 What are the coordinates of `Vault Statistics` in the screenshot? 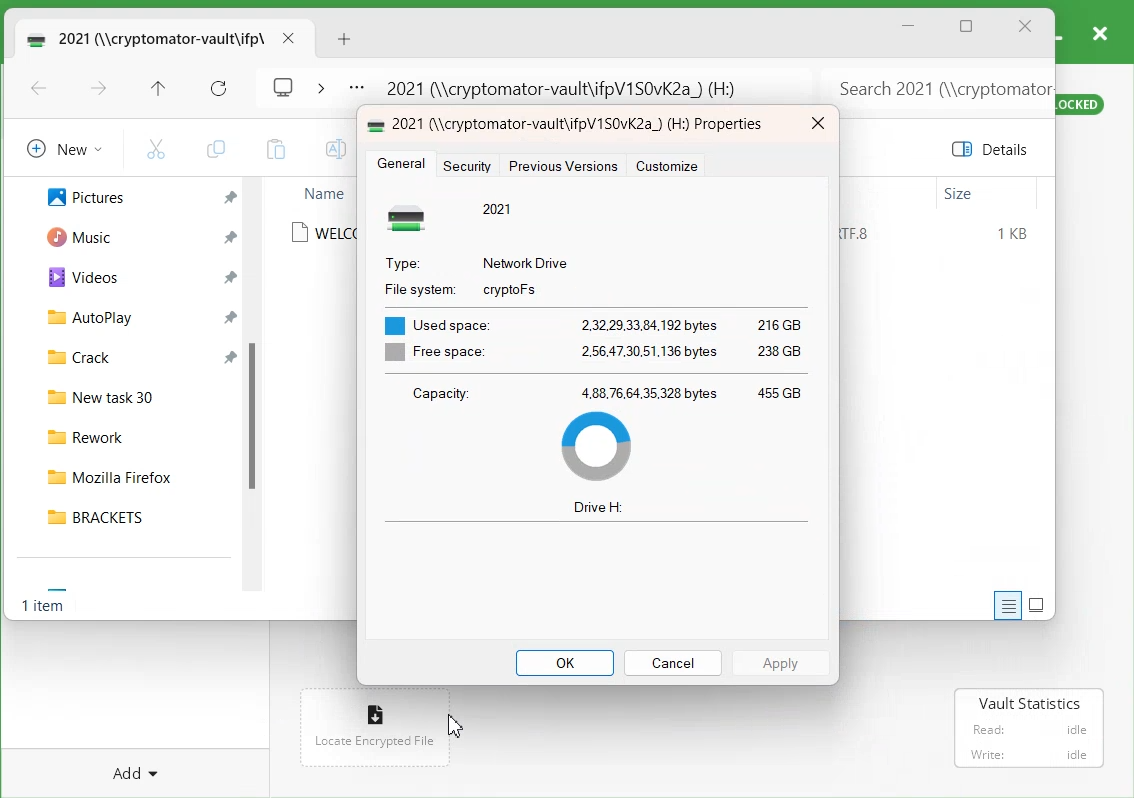 It's located at (1032, 703).